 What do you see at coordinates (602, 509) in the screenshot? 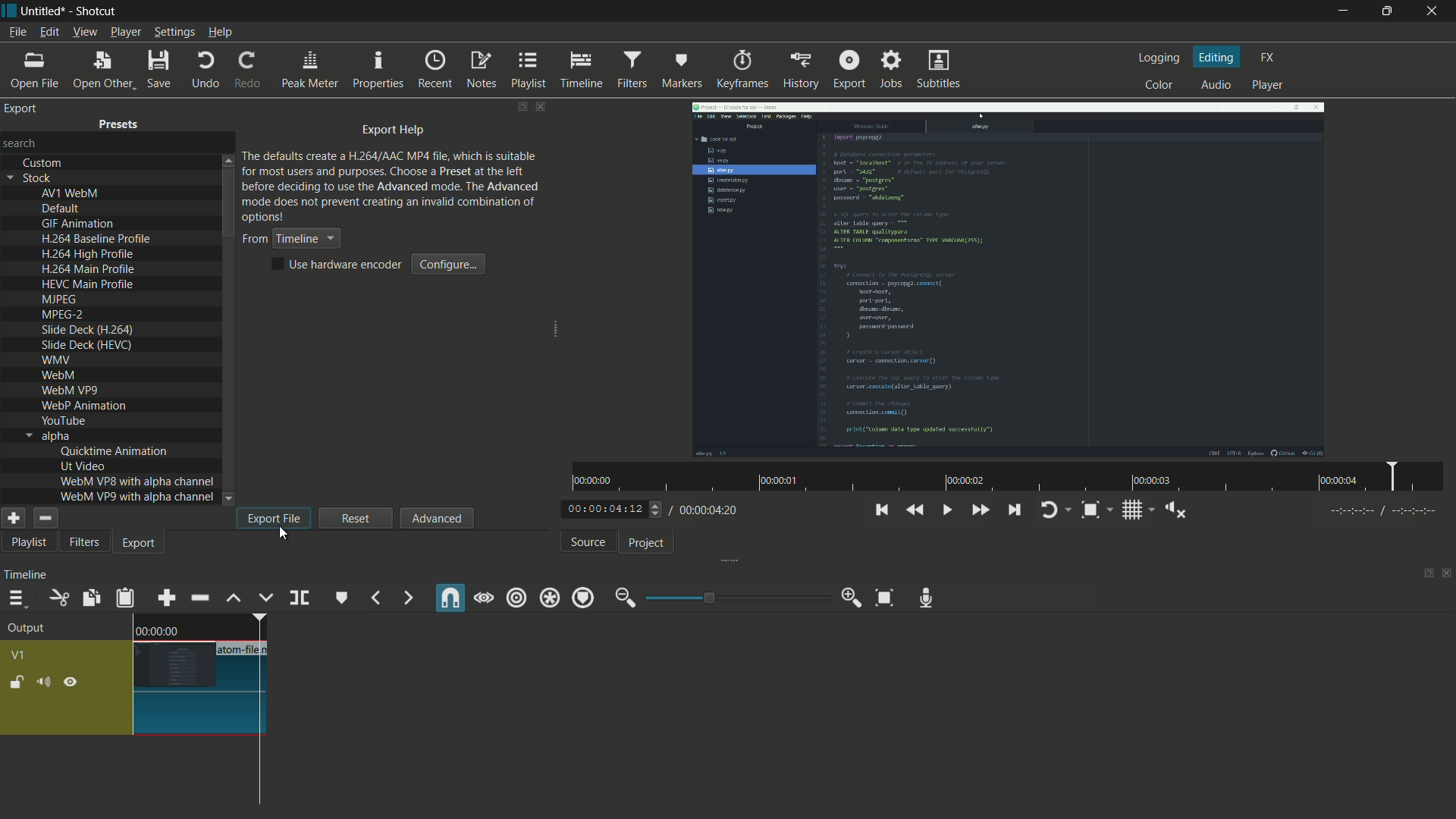
I see `current time` at bounding box center [602, 509].